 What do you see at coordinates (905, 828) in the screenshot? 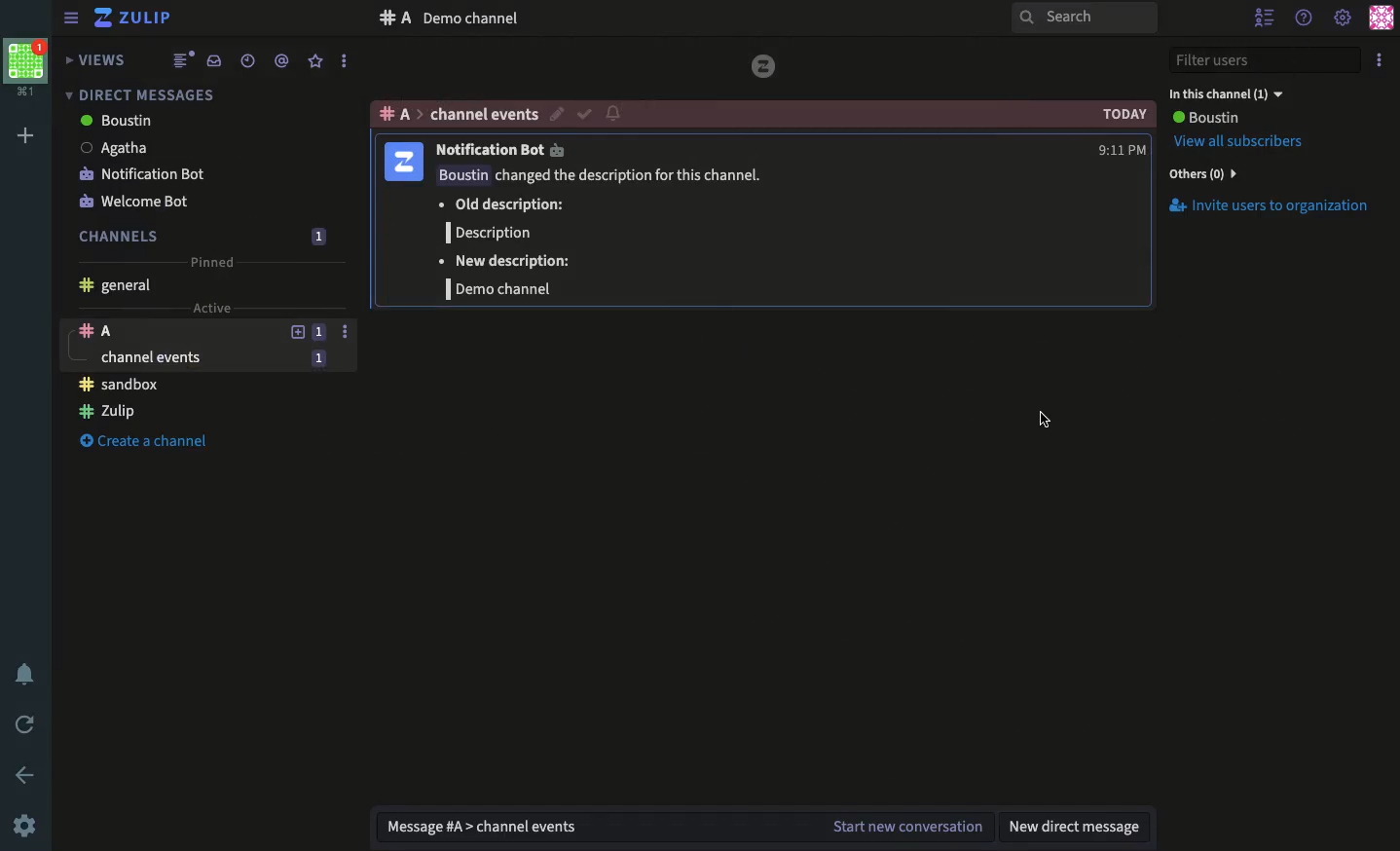
I see `start new conversation` at bounding box center [905, 828].